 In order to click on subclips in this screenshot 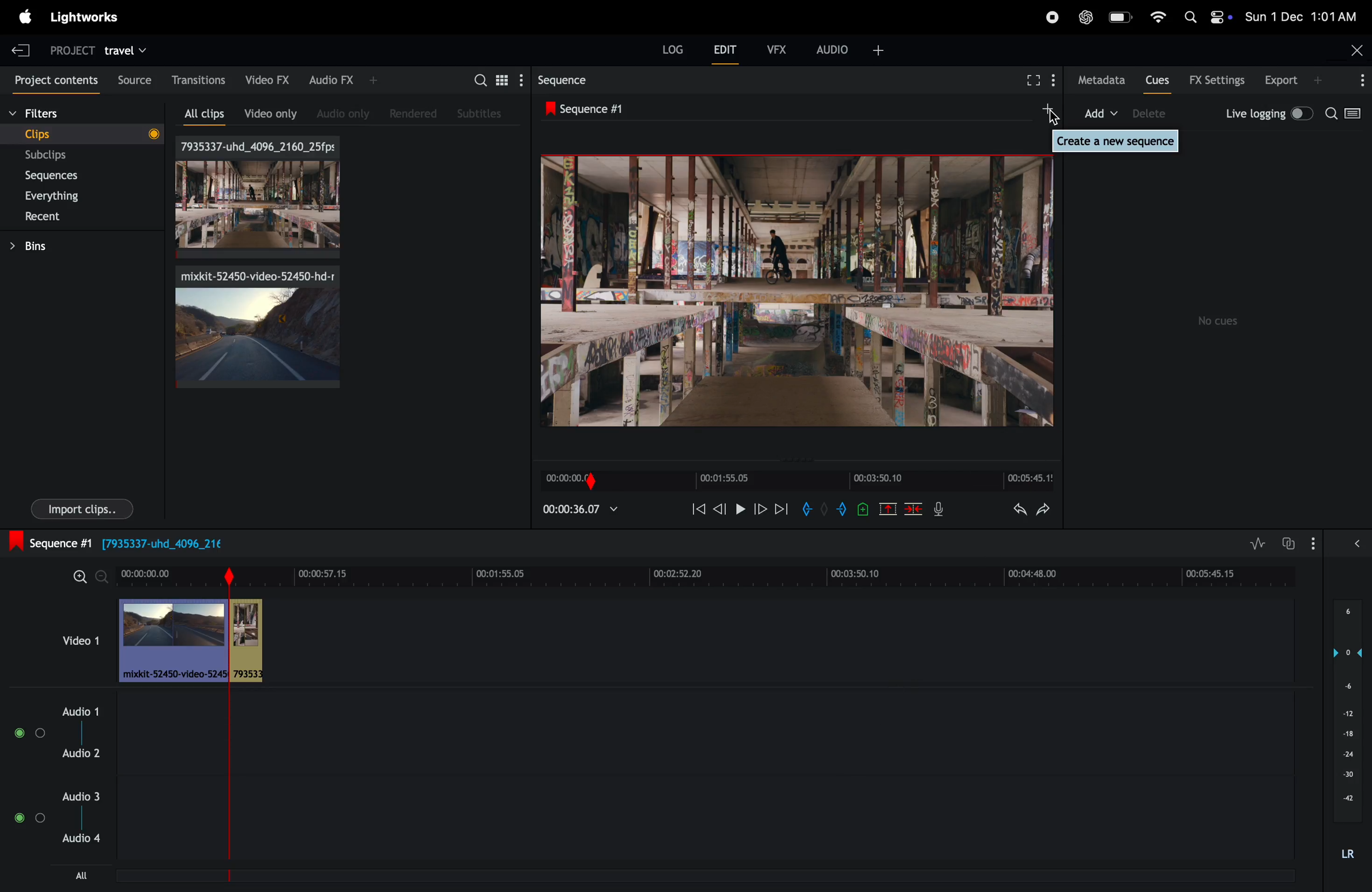, I will do `click(76, 156)`.